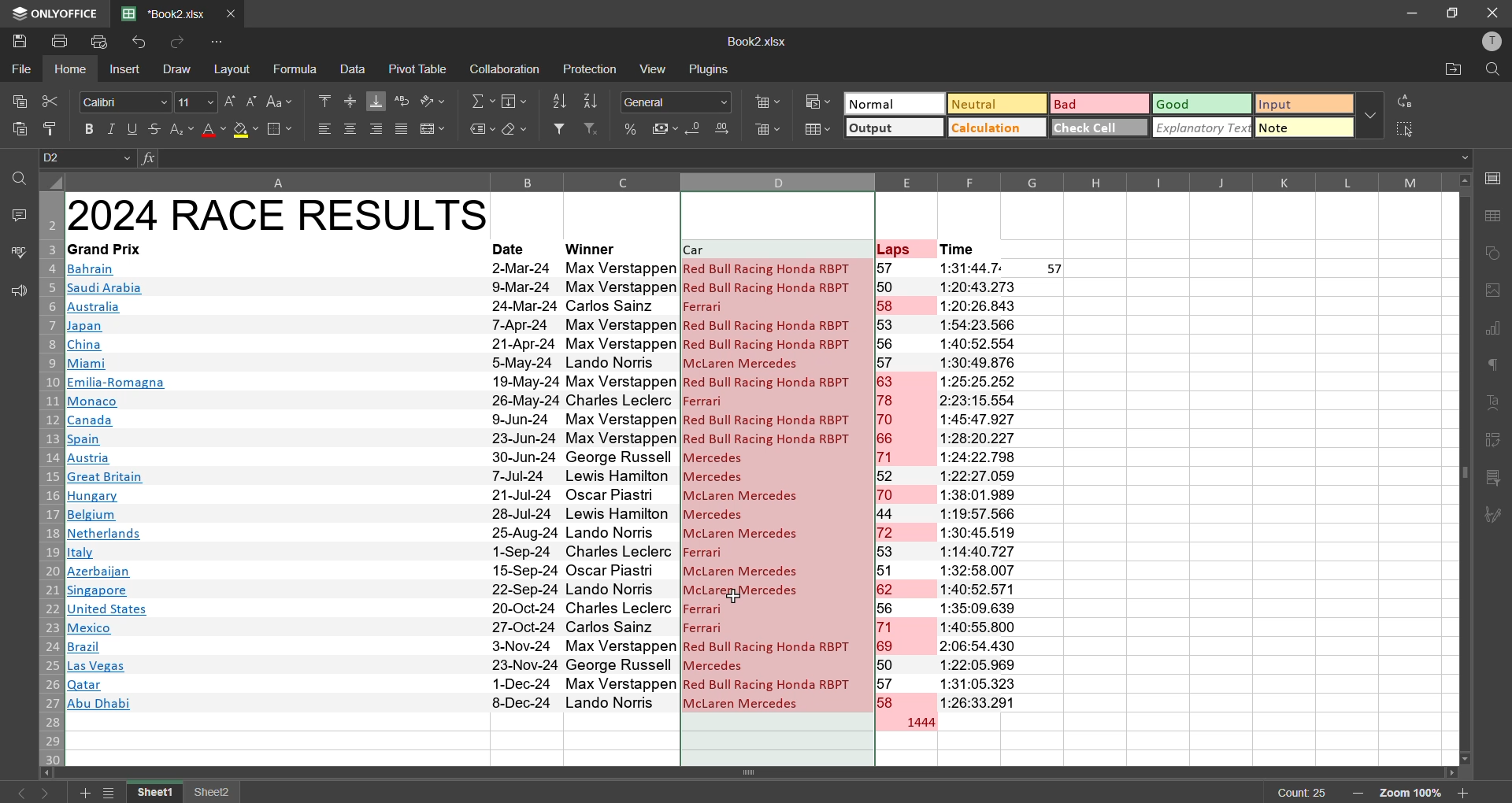  What do you see at coordinates (592, 128) in the screenshot?
I see `clear filter` at bounding box center [592, 128].